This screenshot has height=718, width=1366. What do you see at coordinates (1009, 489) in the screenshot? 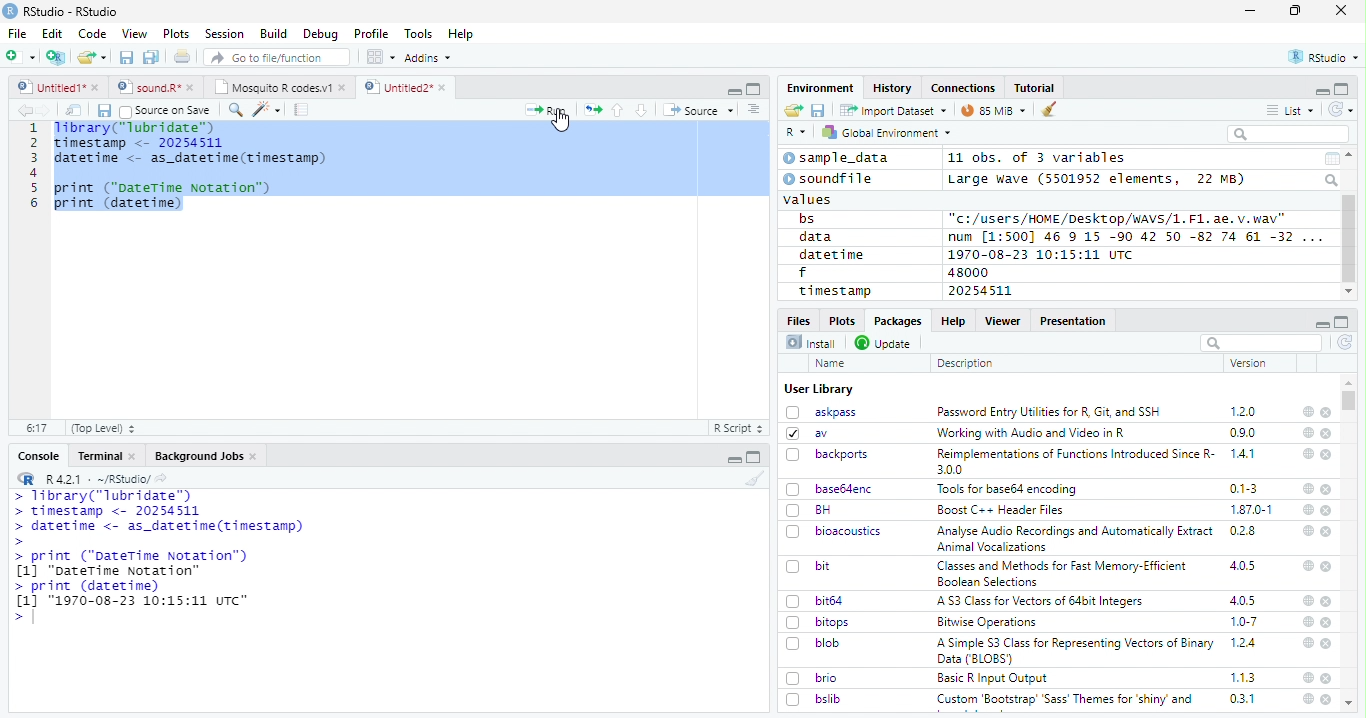
I see `Tools for baseb4 encoding` at bounding box center [1009, 489].